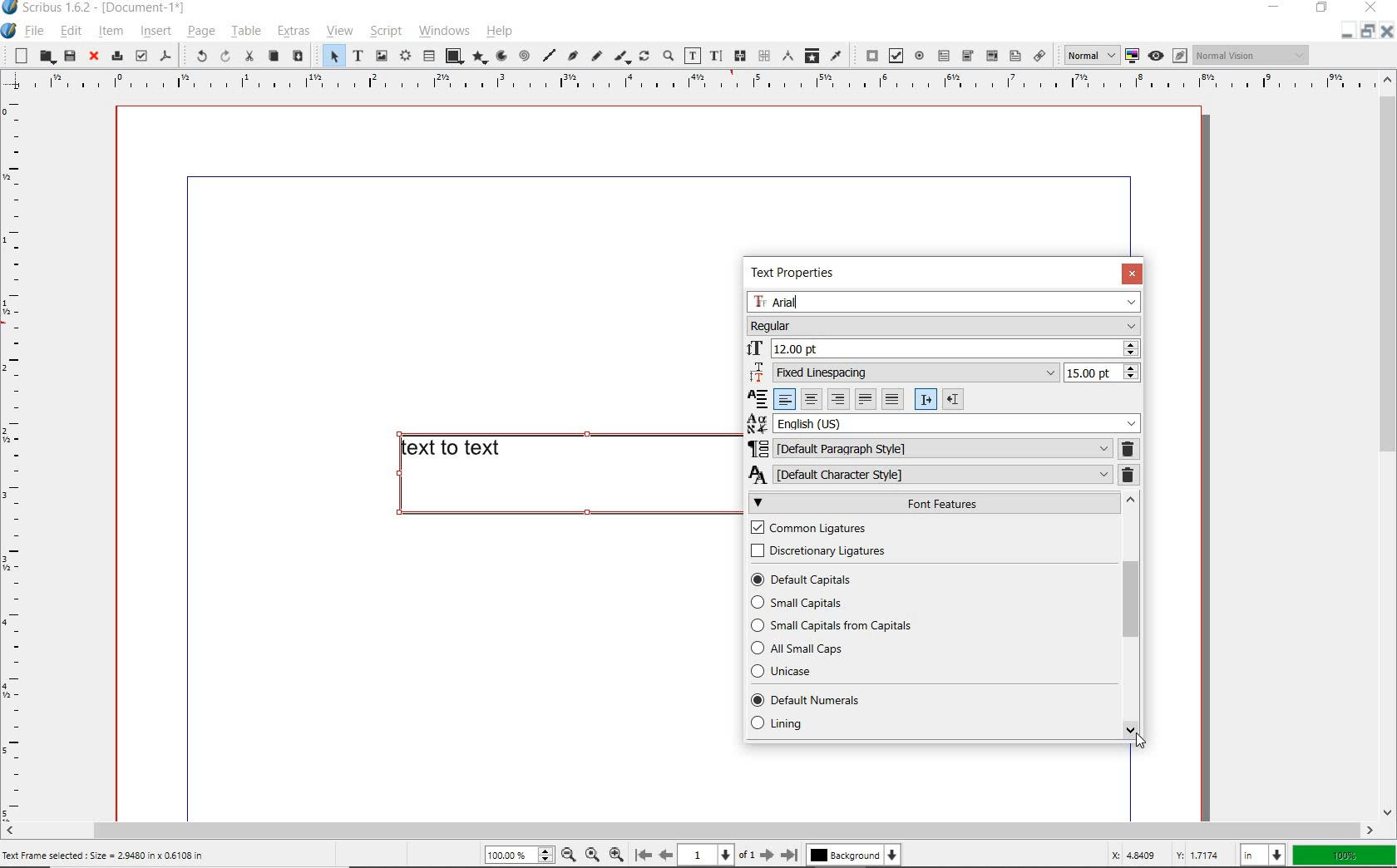 The width and height of the screenshot is (1397, 868). I want to click on cut, so click(249, 57).